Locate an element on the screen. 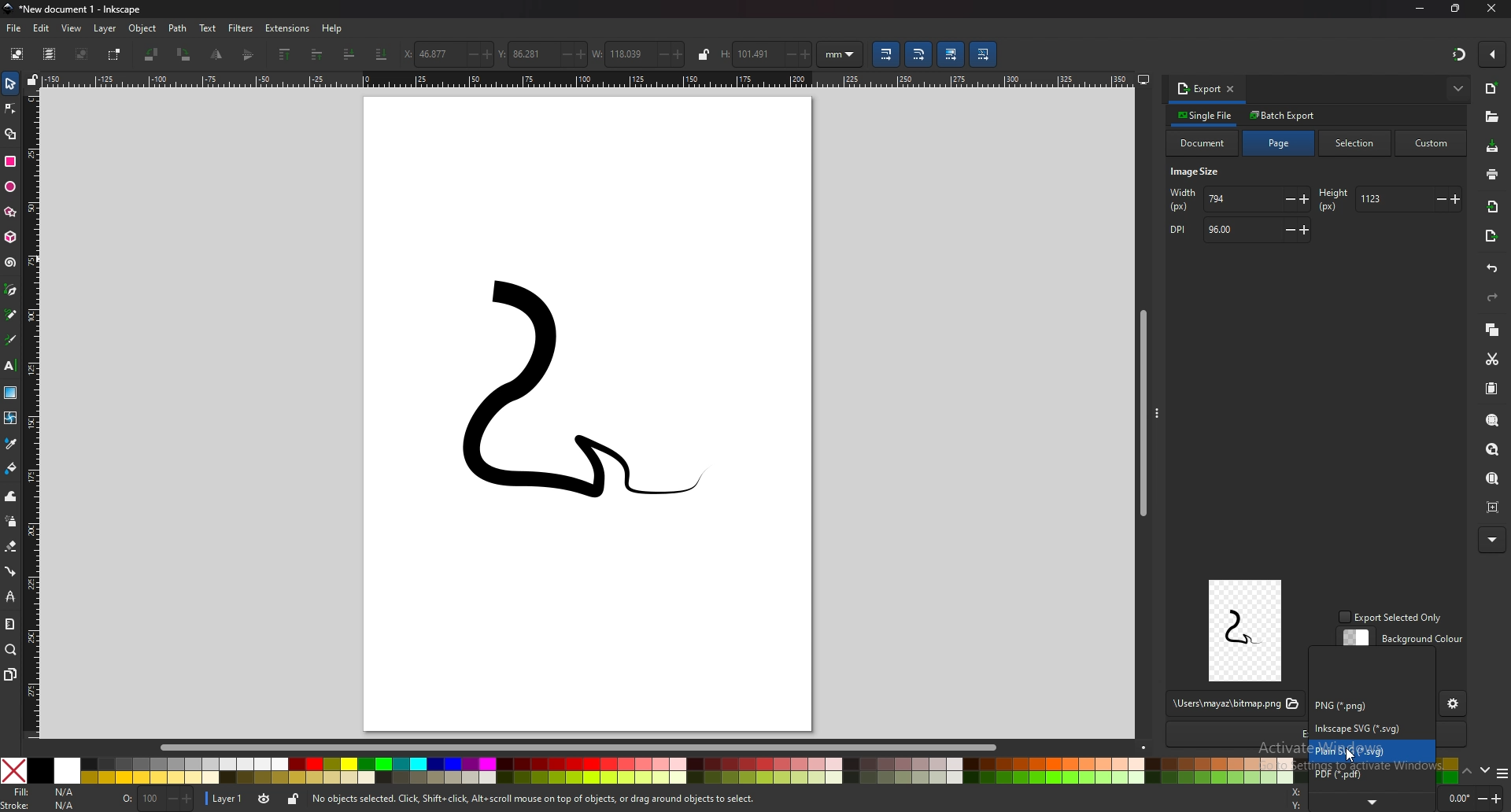 This screenshot has height=812, width=1511. paint bucket is located at coordinates (10, 468).